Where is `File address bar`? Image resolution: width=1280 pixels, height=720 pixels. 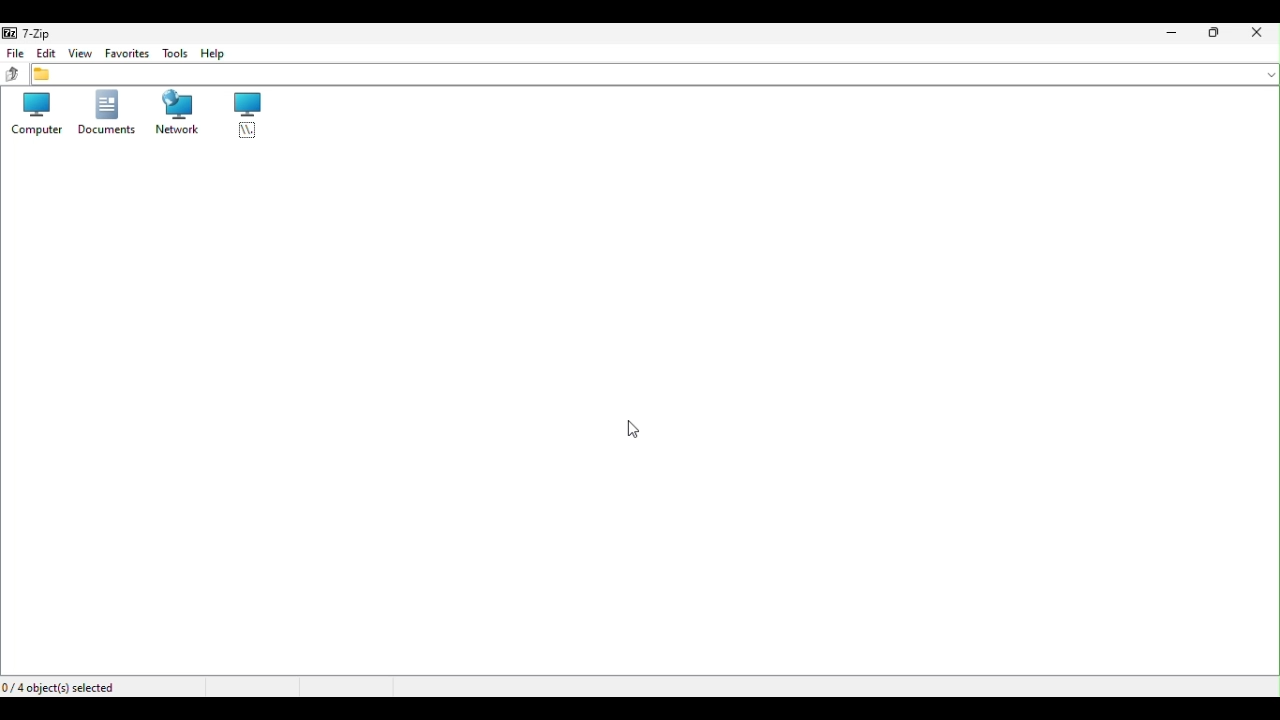
File address bar is located at coordinates (655, 74).